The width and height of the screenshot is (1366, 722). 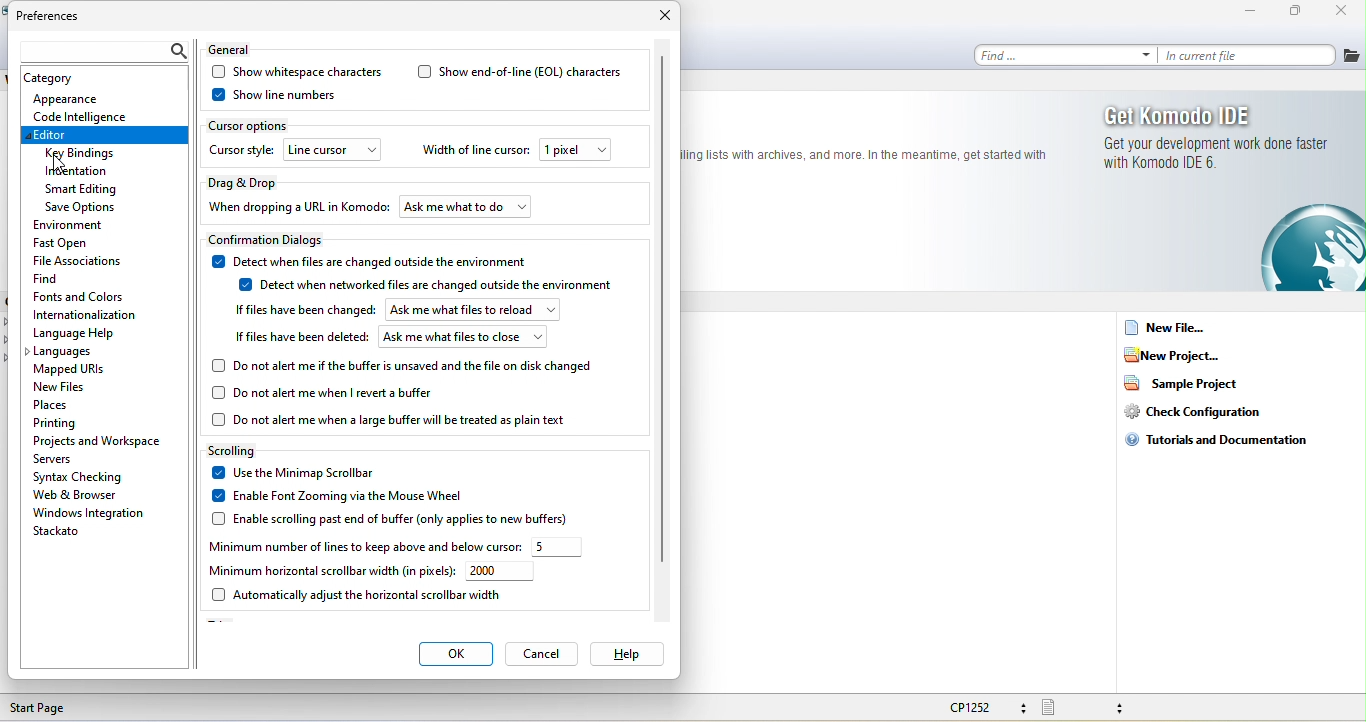 I want to click on new file, so click(x=1168, y=328).